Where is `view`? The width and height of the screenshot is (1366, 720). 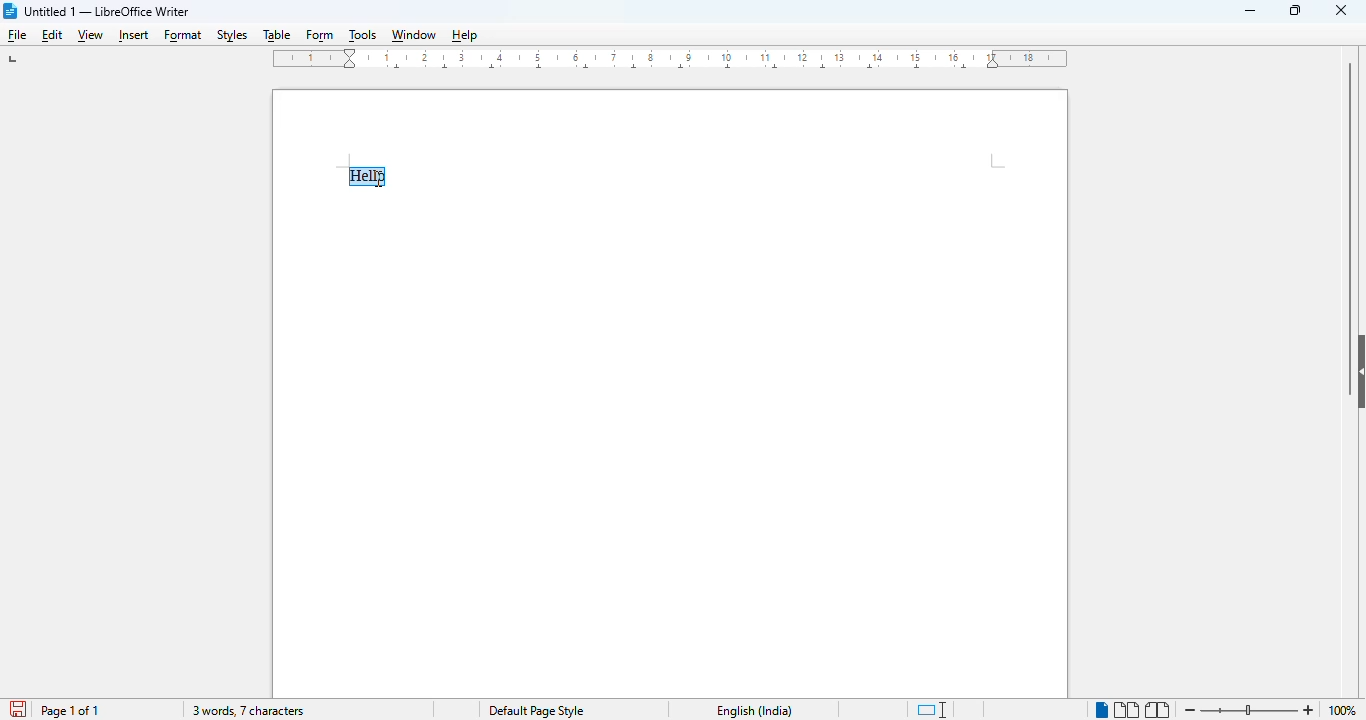
view is located at coordinates (90, 37).